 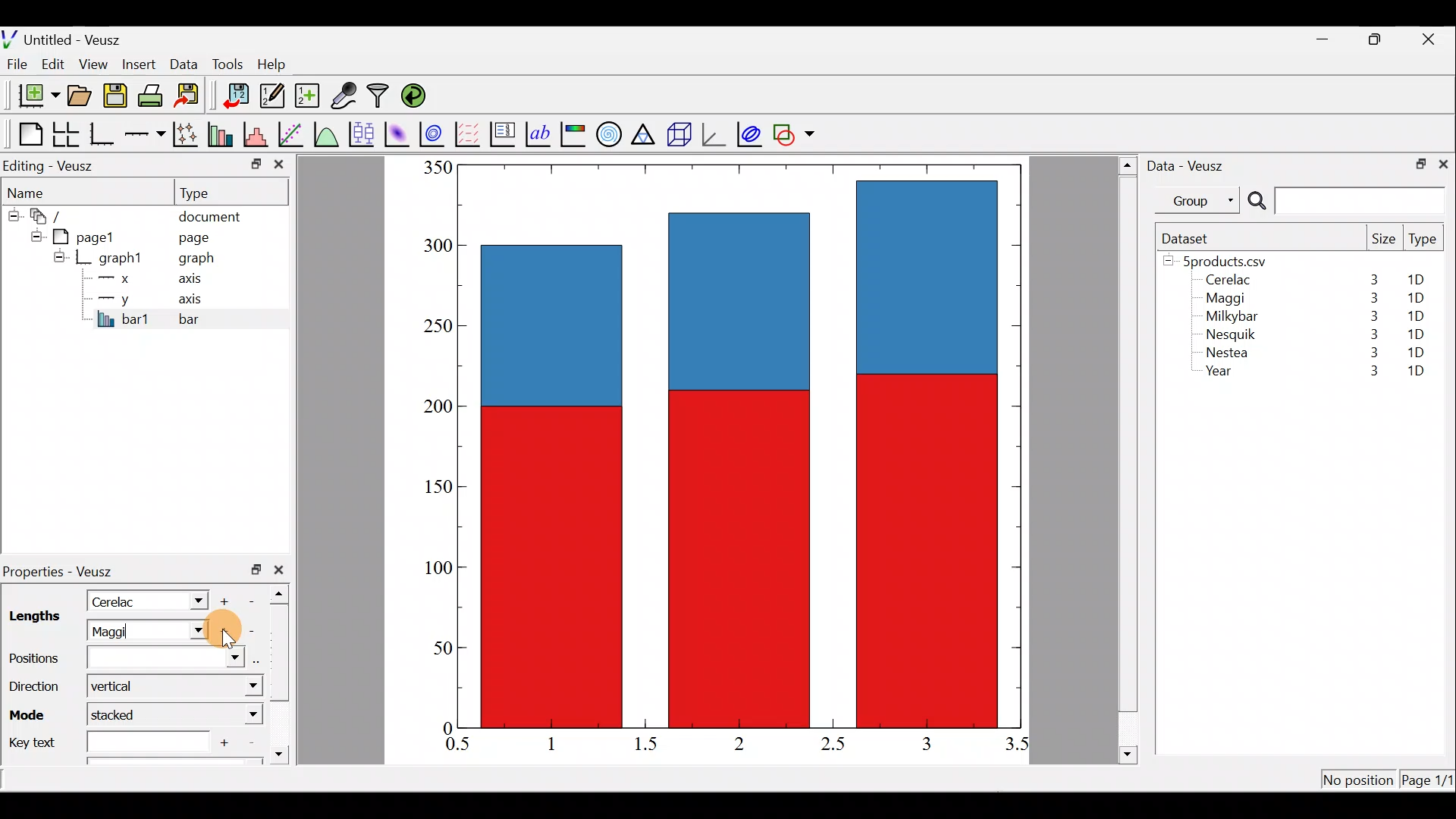 I want to click on hide, so click(x=59, y=256).